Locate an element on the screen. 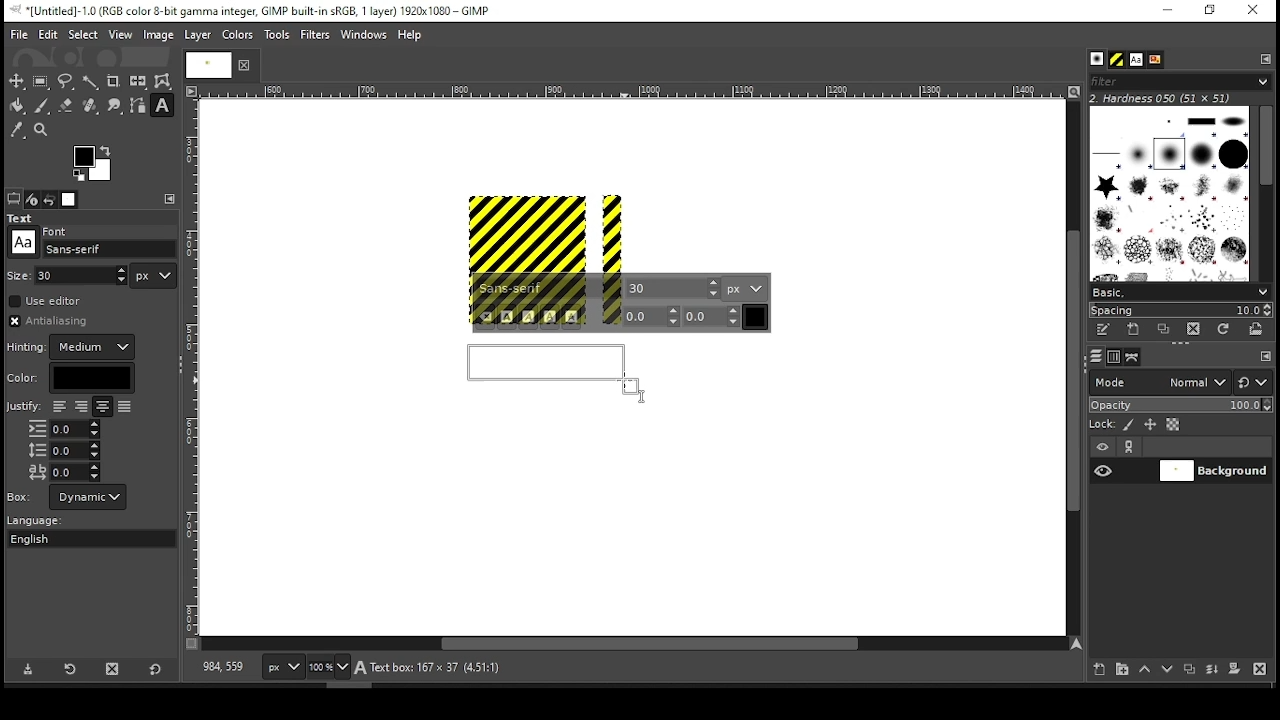 This screenshot has height=720, width=1280. background (28.0mb) is located at coordinates (425, 668).